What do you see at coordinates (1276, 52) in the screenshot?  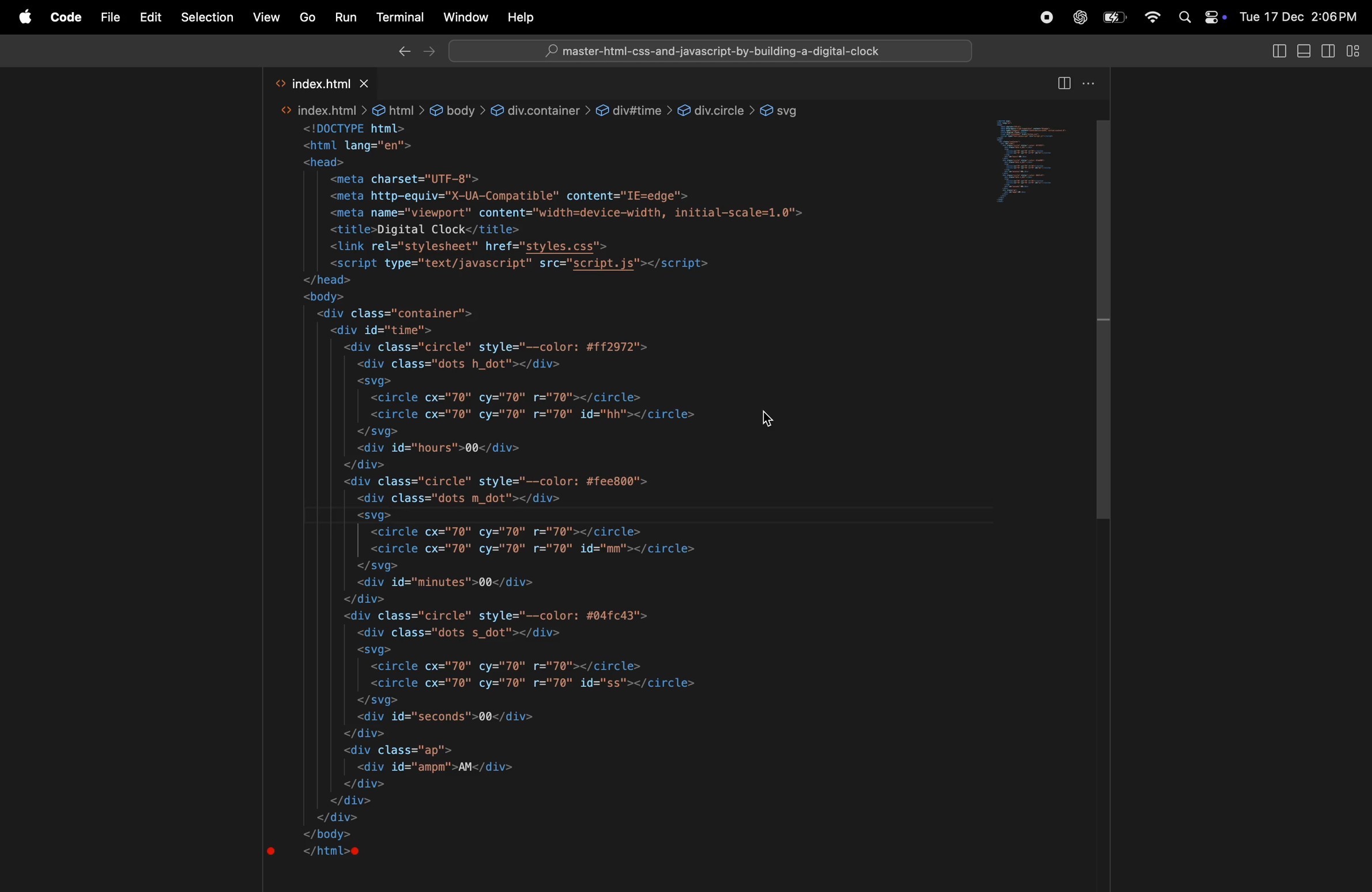 I see `toggle panel` at bounding box center [1276, 52].